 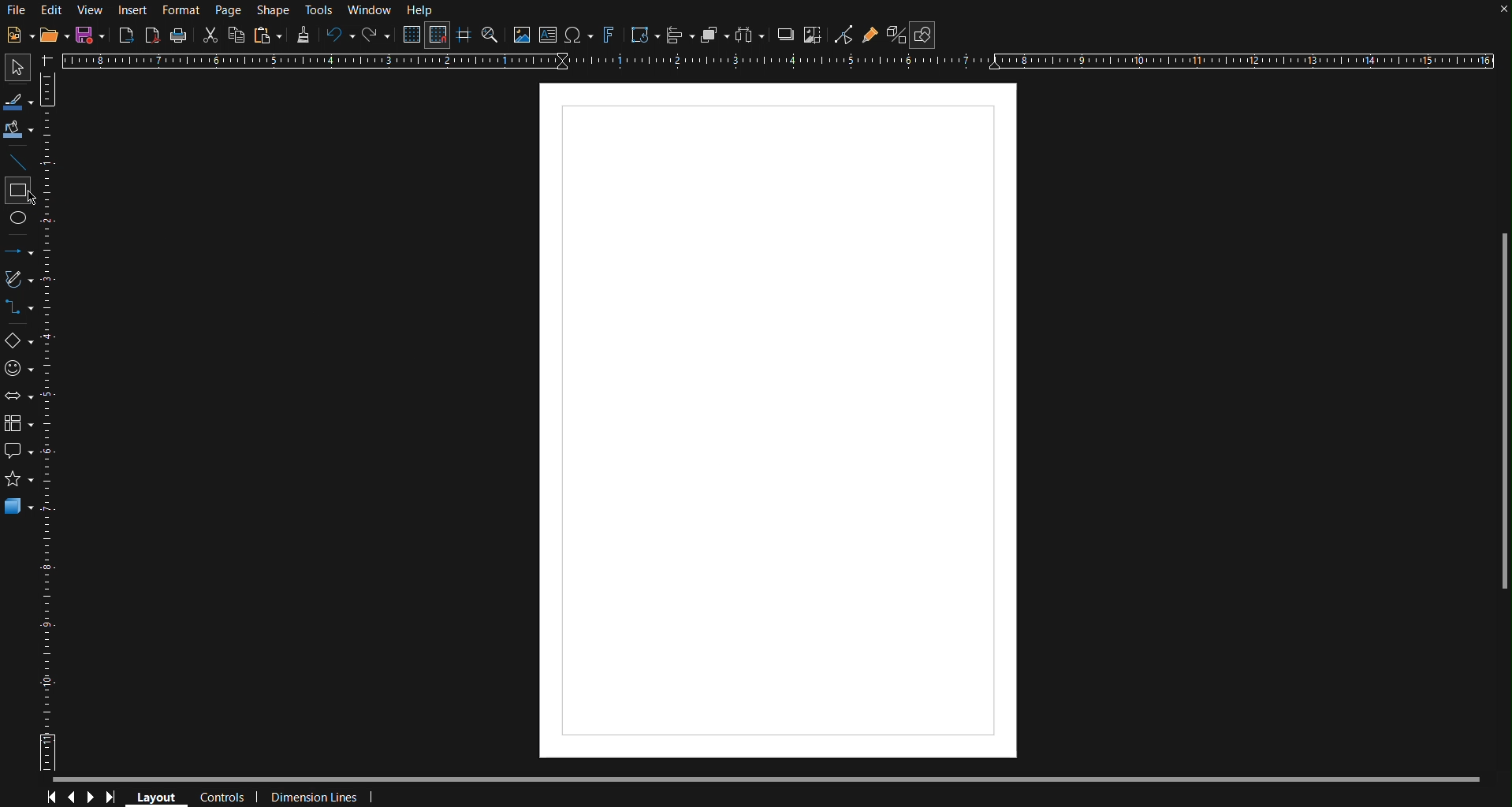 What do you see at coordinates (19, 451) in the screenshot?
I see `Callout Shapes` at bounding box center [19, 451].